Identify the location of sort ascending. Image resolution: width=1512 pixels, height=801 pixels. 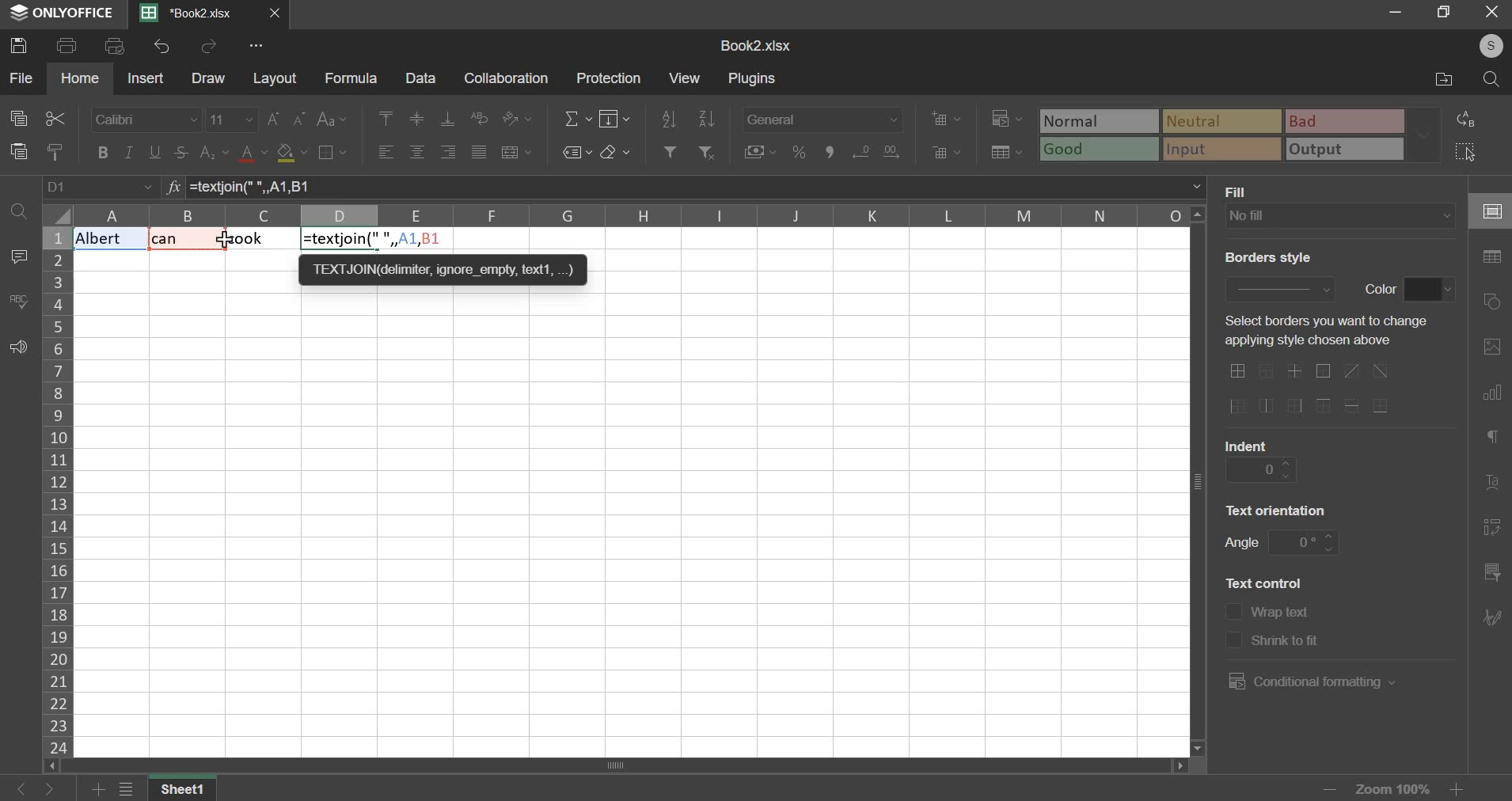
(669, 116).